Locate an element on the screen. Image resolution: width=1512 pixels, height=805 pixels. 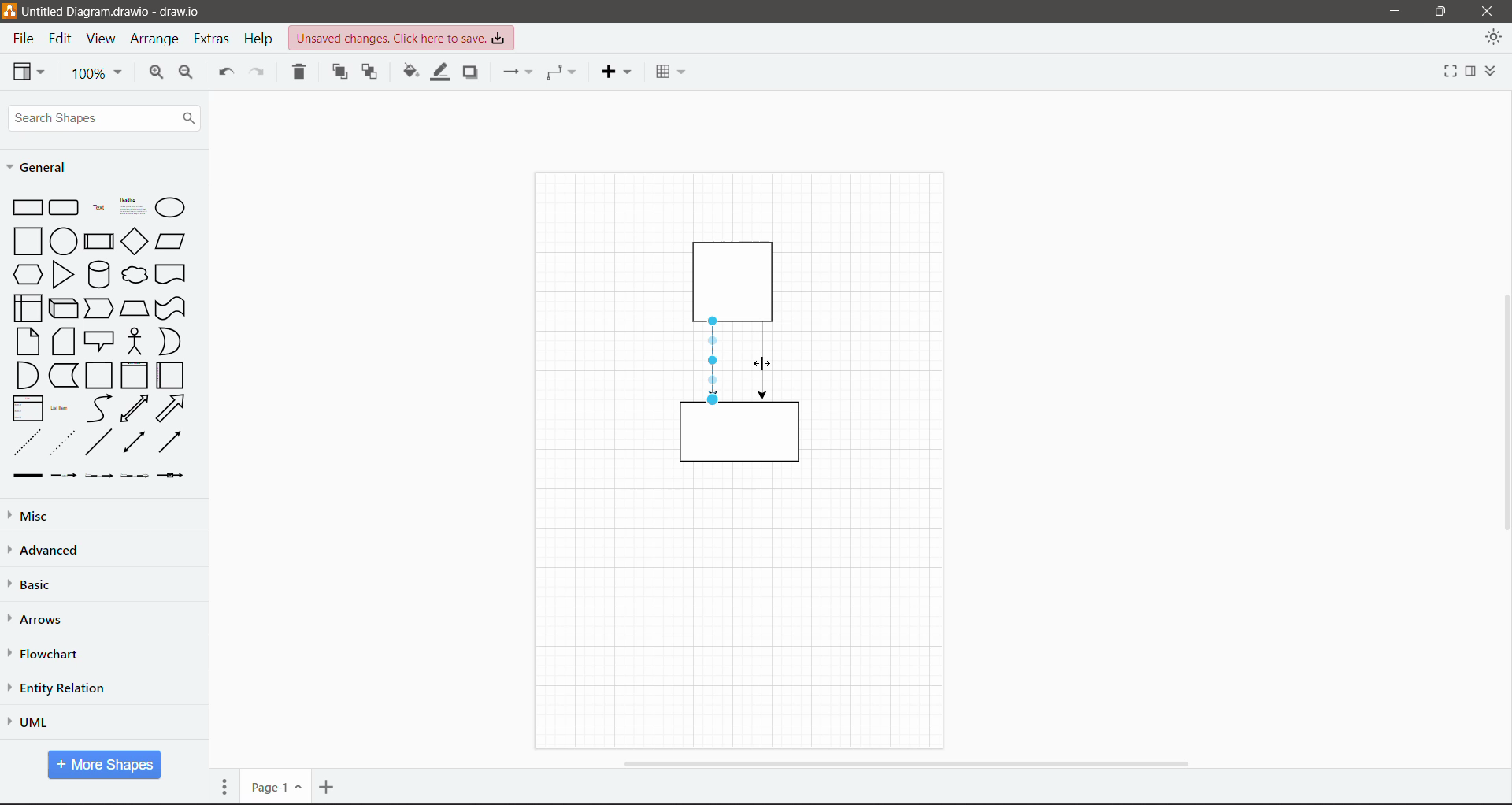
Expand/Collapse is located at coordinates (1494, 72).